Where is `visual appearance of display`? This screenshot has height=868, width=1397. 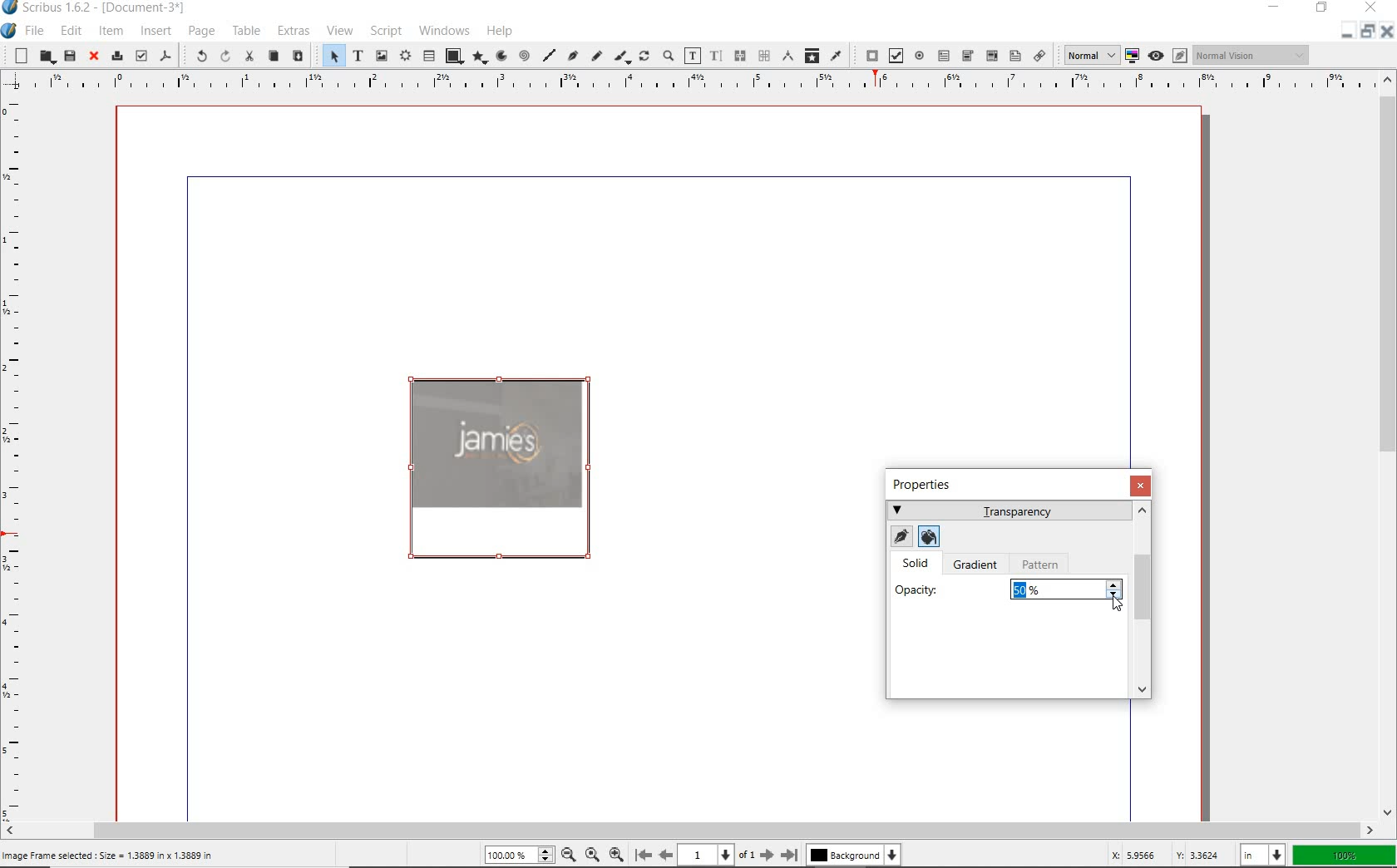 visual appearance of display is located at coordinates (1252, 55).